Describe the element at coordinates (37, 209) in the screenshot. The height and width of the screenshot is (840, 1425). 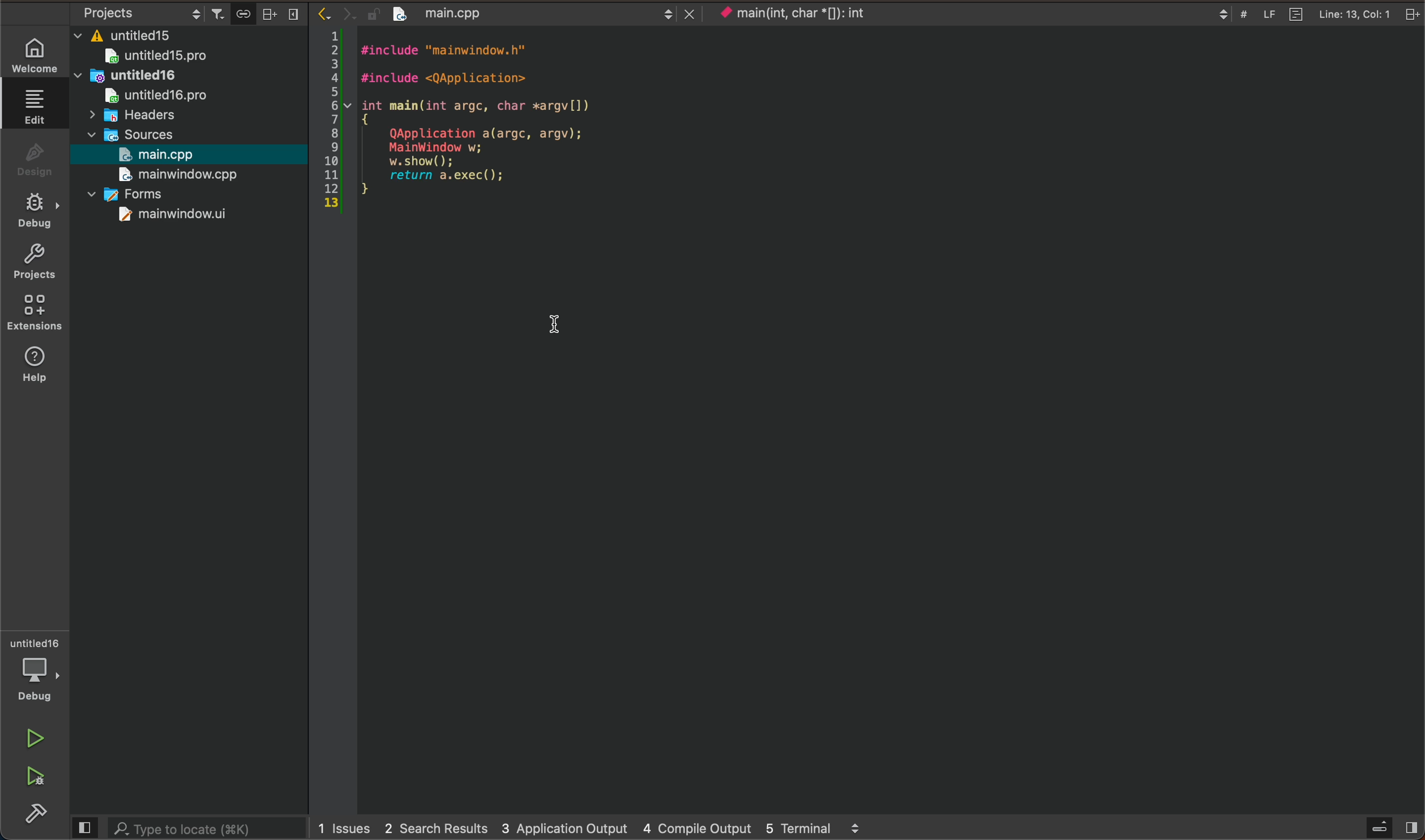
I see `debug` at that location.